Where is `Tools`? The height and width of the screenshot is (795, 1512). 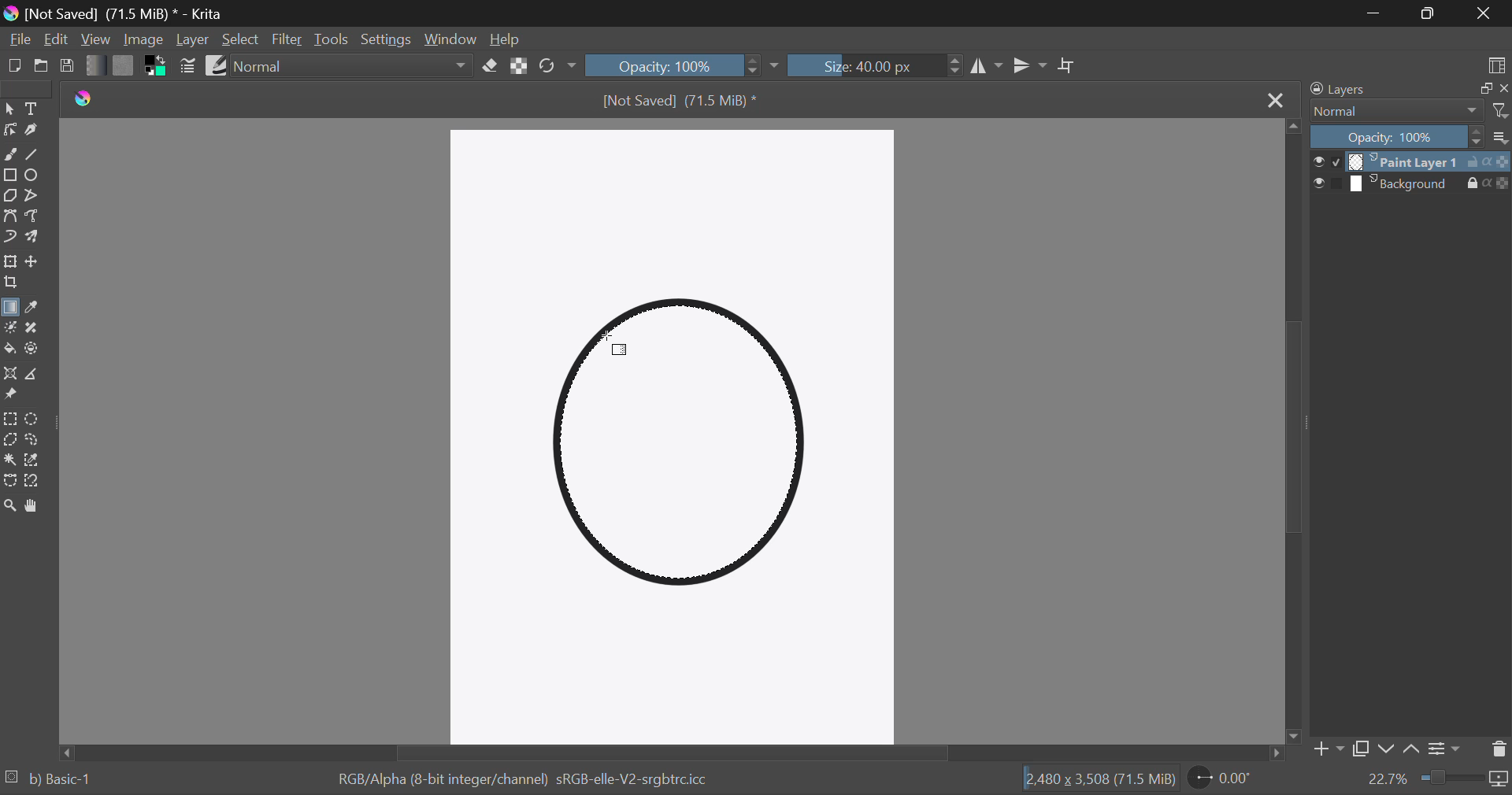 Tools is located at coordinates (332, 39).